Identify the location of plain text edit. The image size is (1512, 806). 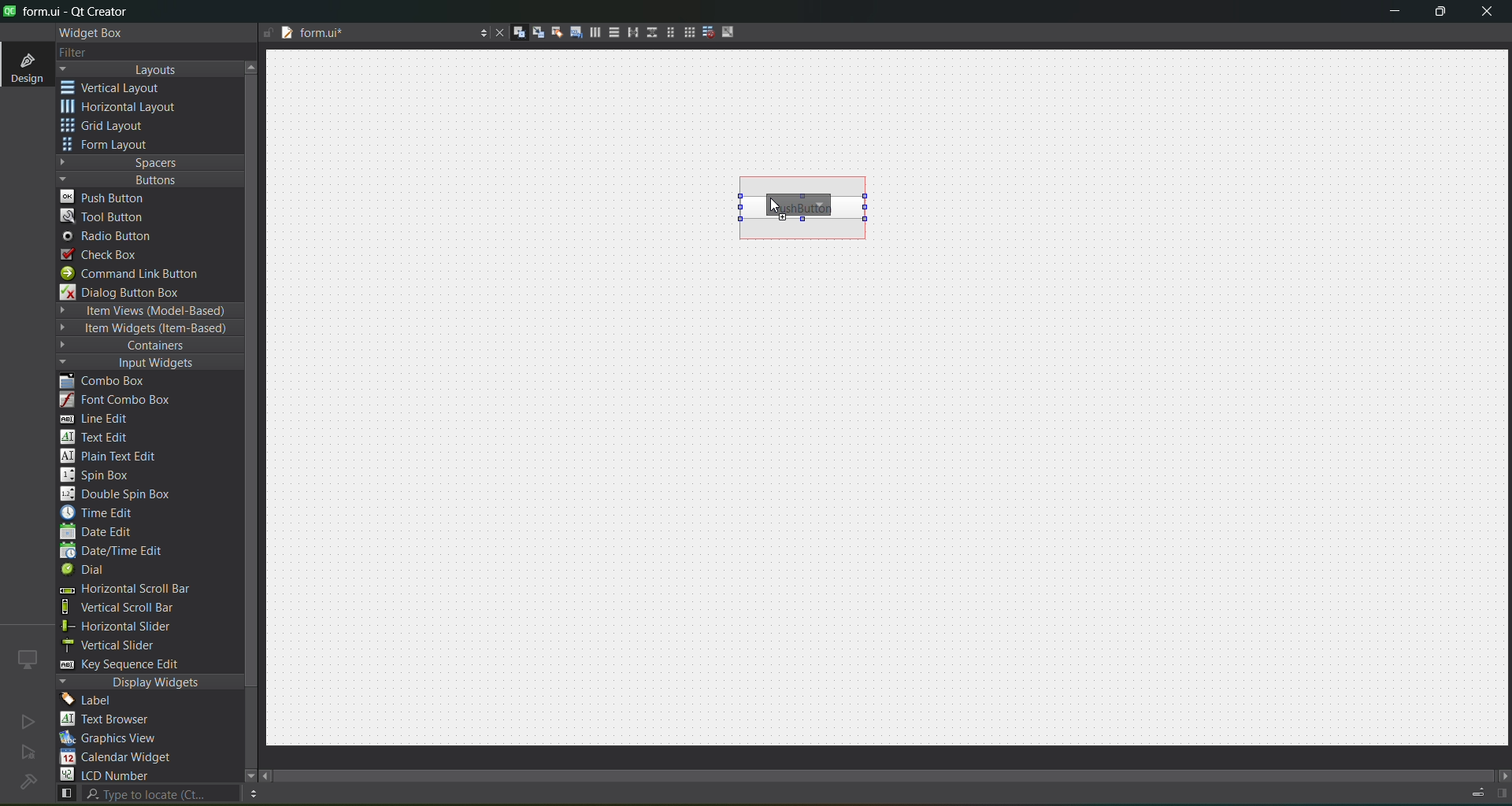
(115, 457).